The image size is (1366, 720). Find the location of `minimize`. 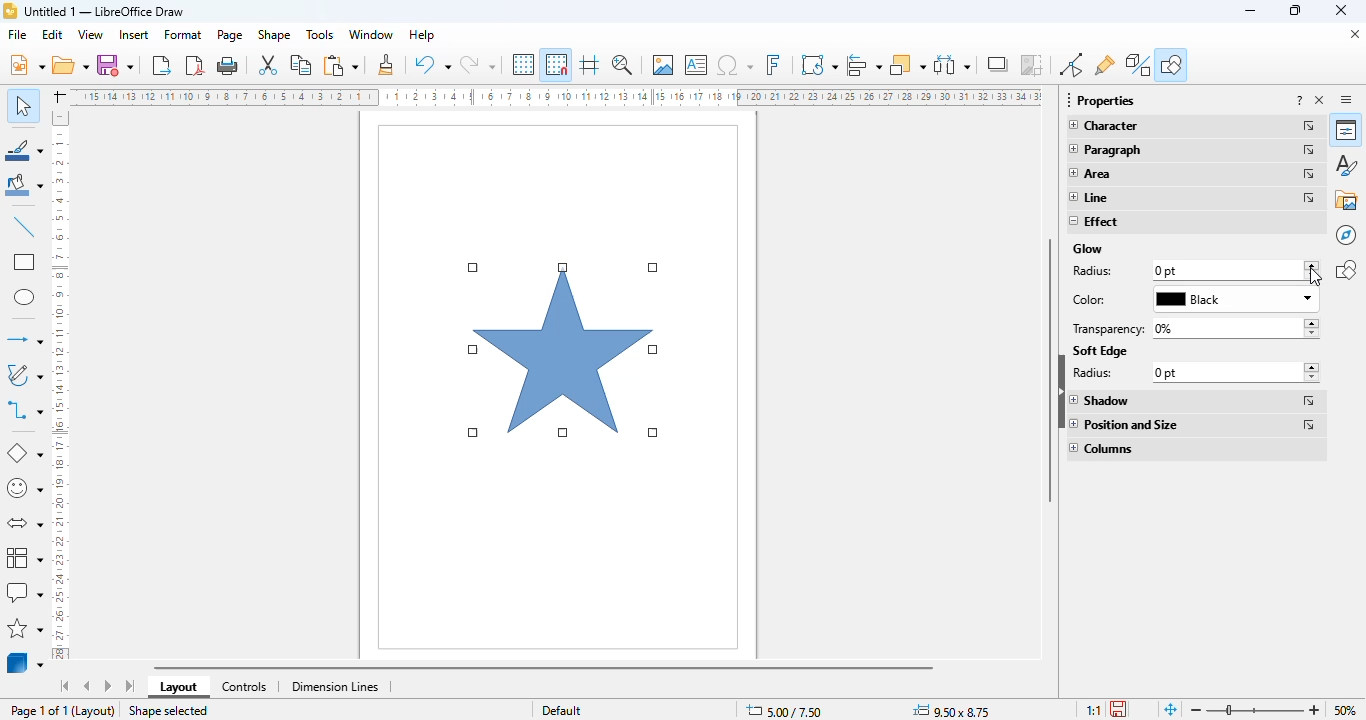

minimize is located at coordinates (1252, 11).